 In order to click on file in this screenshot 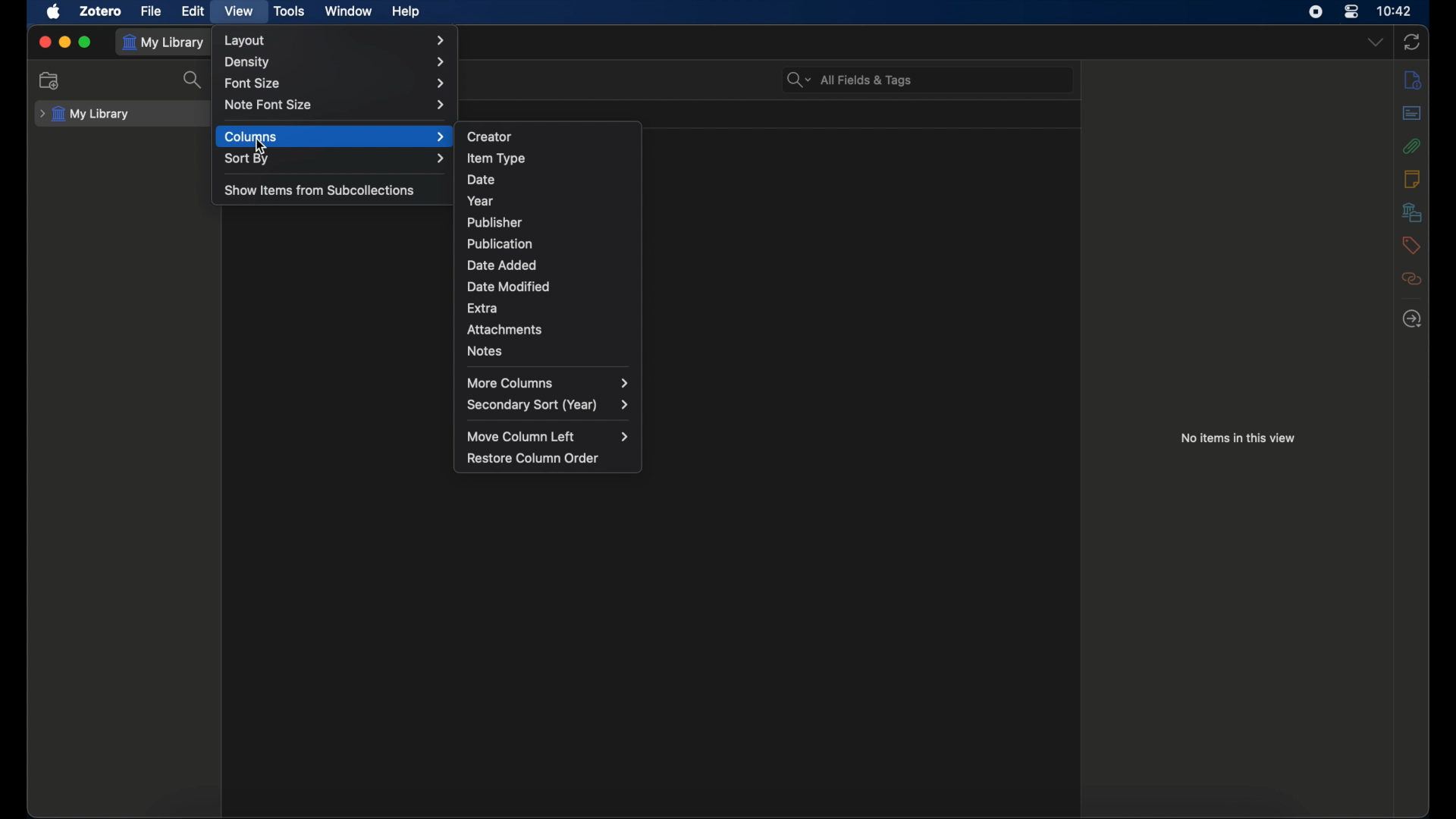, I will do `click(151, 11)`.